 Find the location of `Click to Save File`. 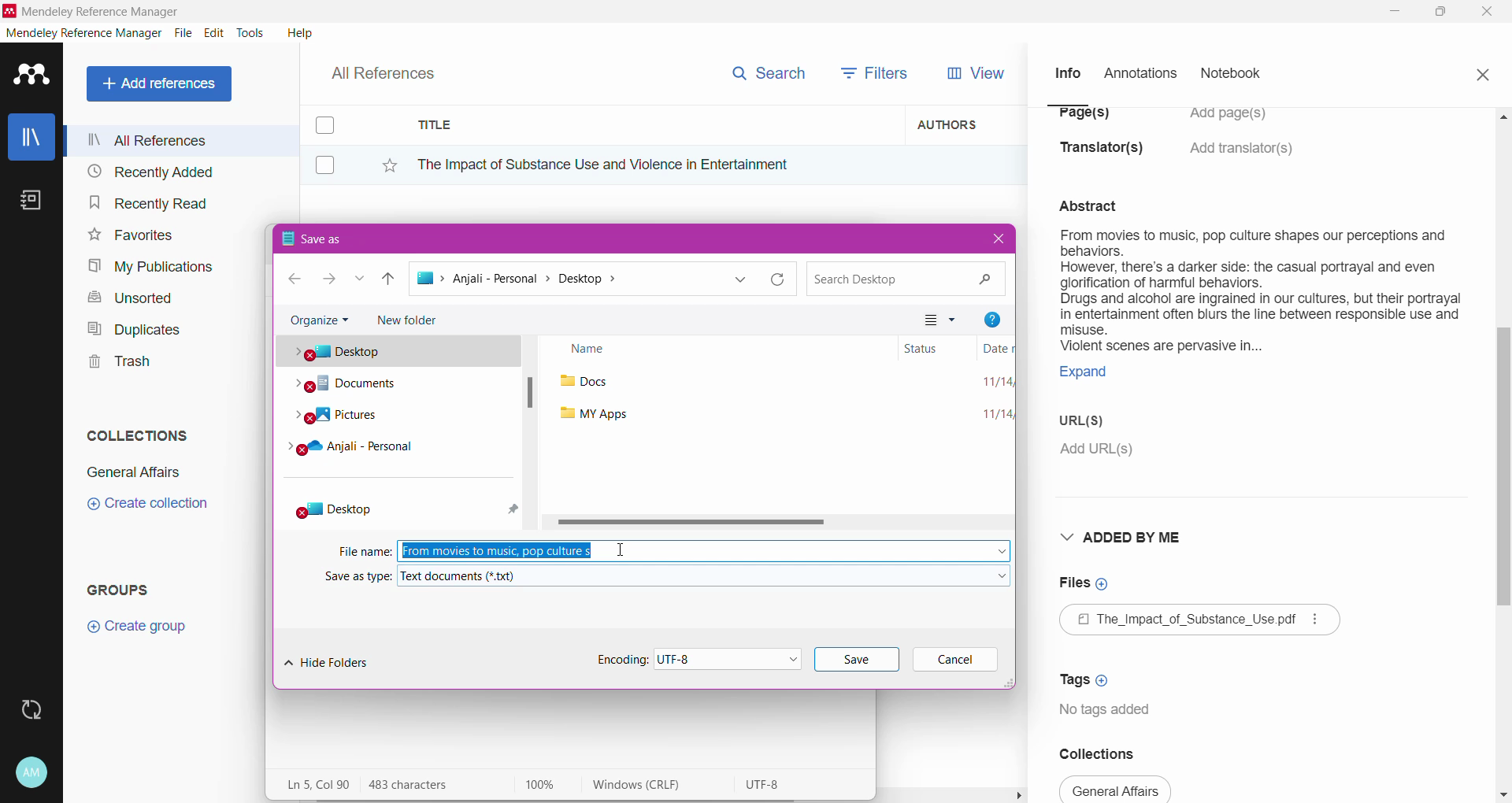

Click to Save File is located at coordinates (857, 660).